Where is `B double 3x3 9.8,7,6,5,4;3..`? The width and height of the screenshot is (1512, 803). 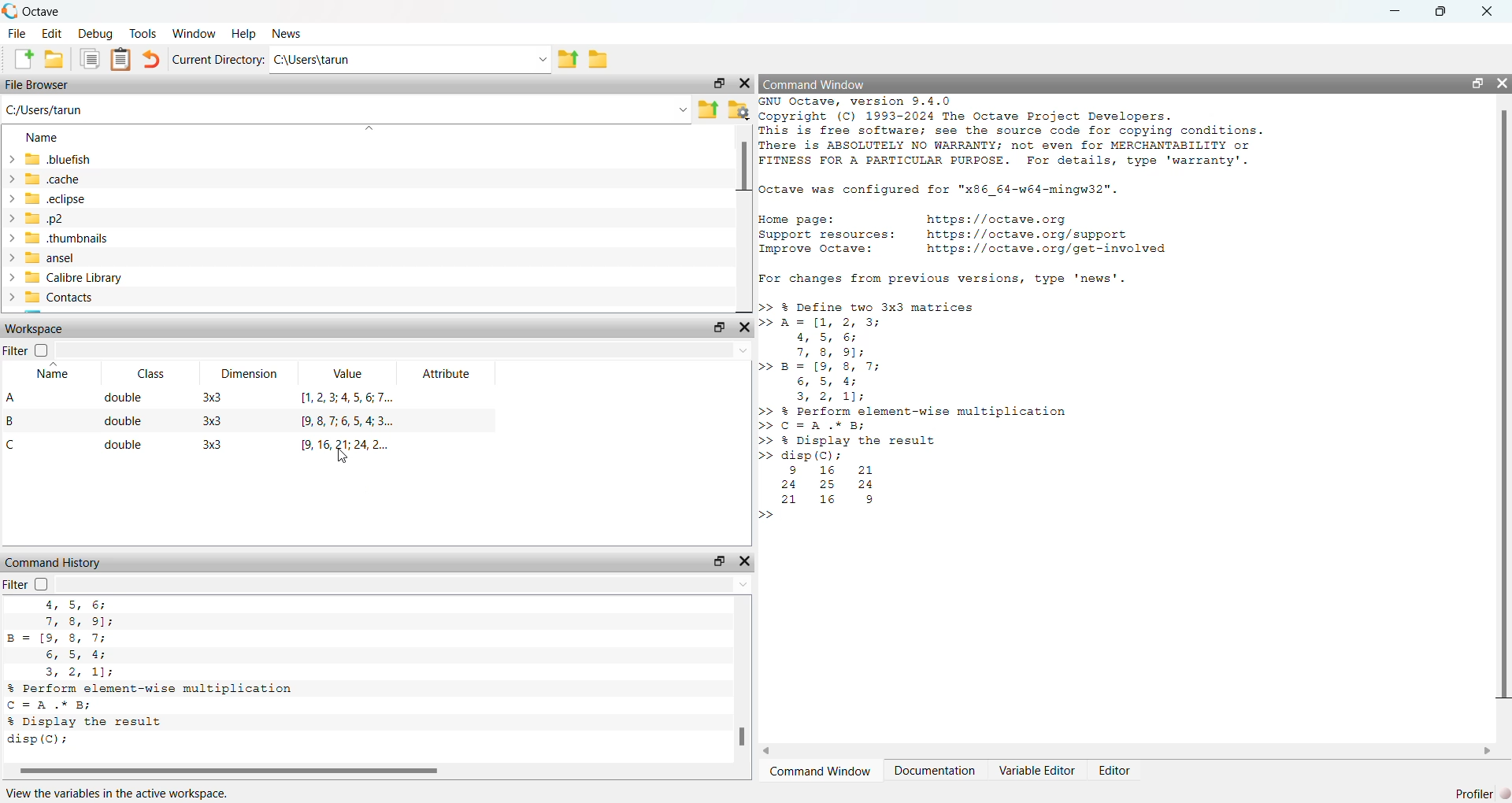 B double 3x3 9.8,7,6,5,4;3.. is located at coordinates (207, 422).